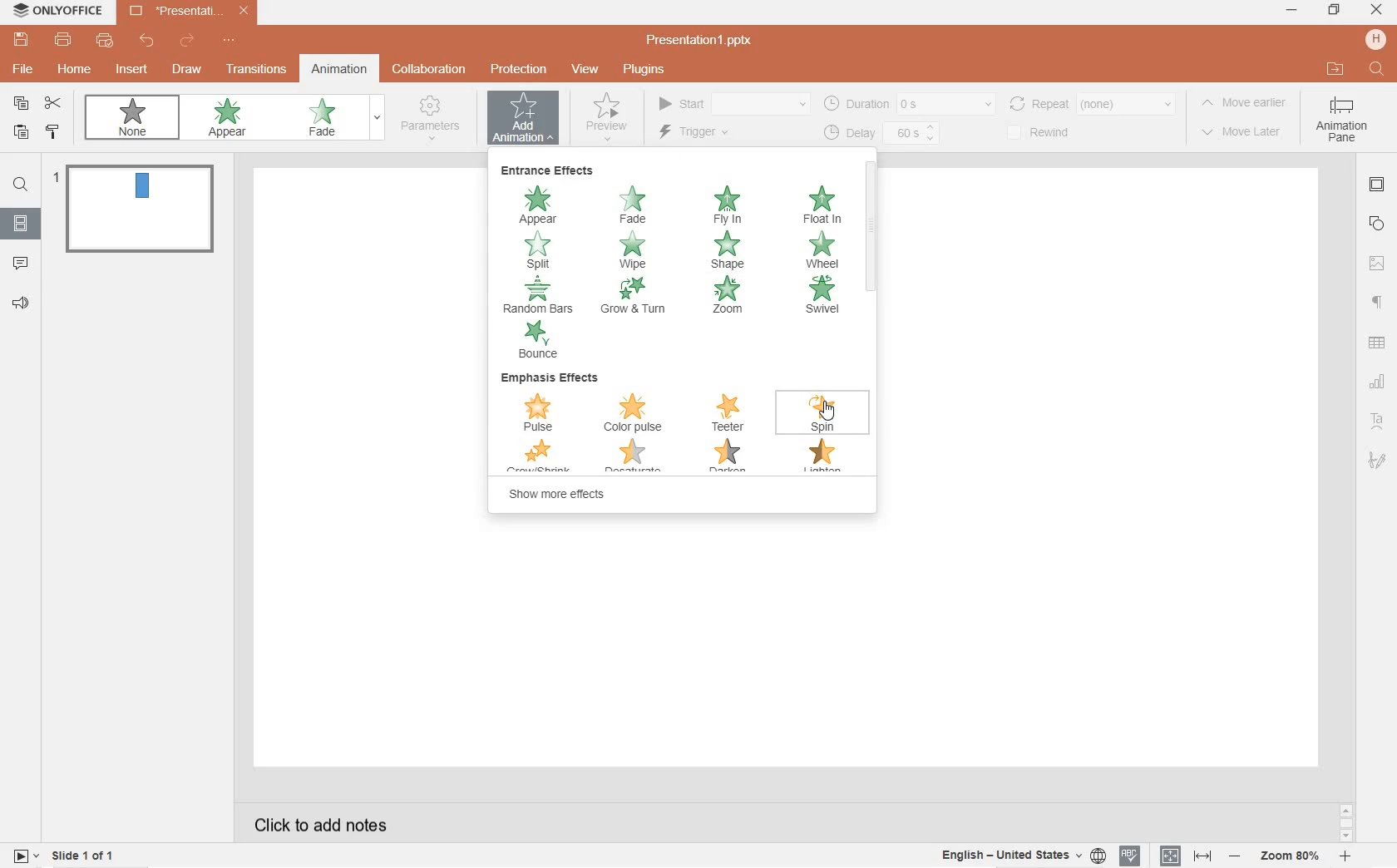 This screenshot has width=1397, height=868. Describe the element at coordinates (553, 380) in the screenshot. I see `emphasis effects` at that location.